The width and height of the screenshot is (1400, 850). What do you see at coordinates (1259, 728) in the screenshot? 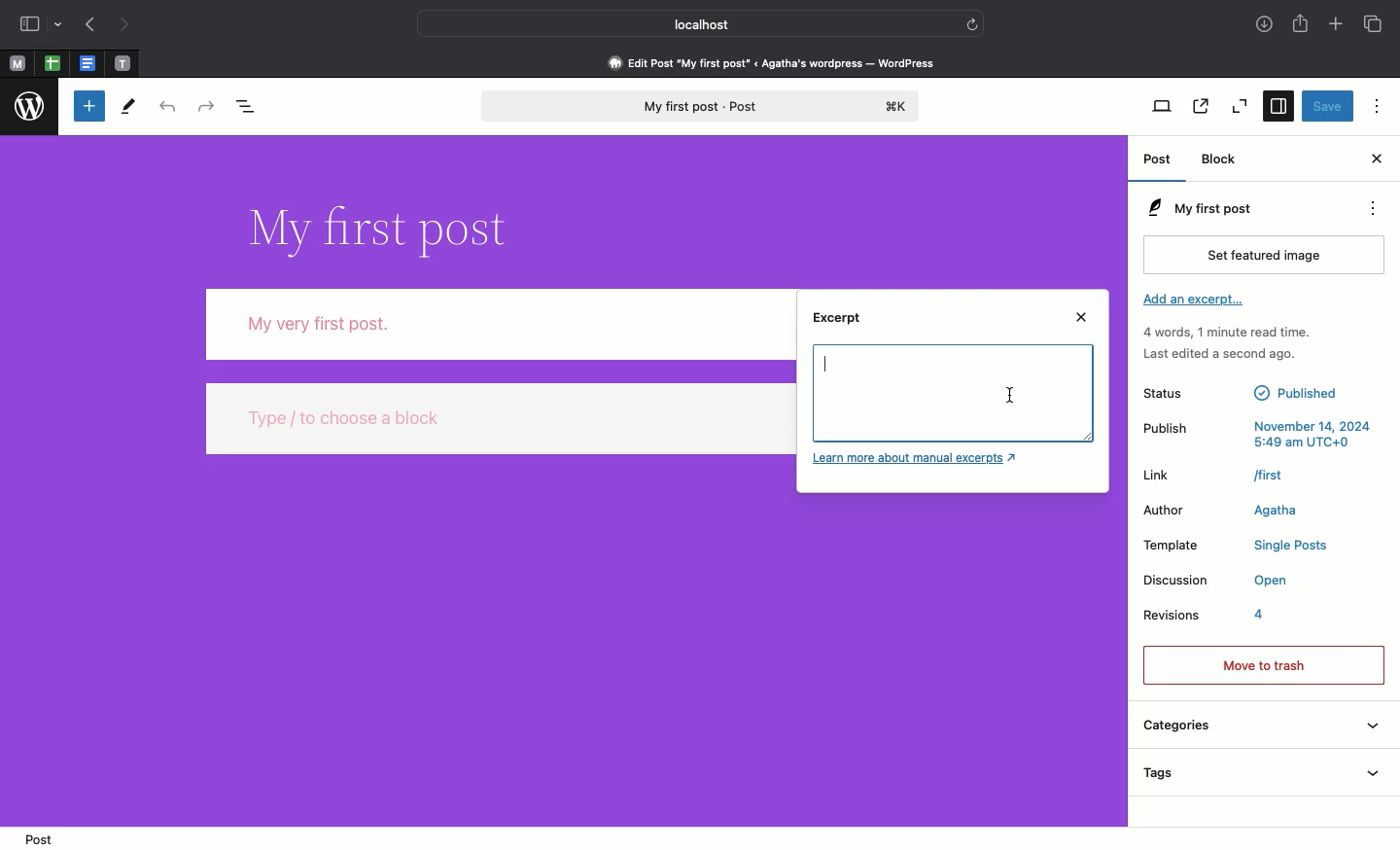
I see `Categories` at bounding box center [1259, 728].